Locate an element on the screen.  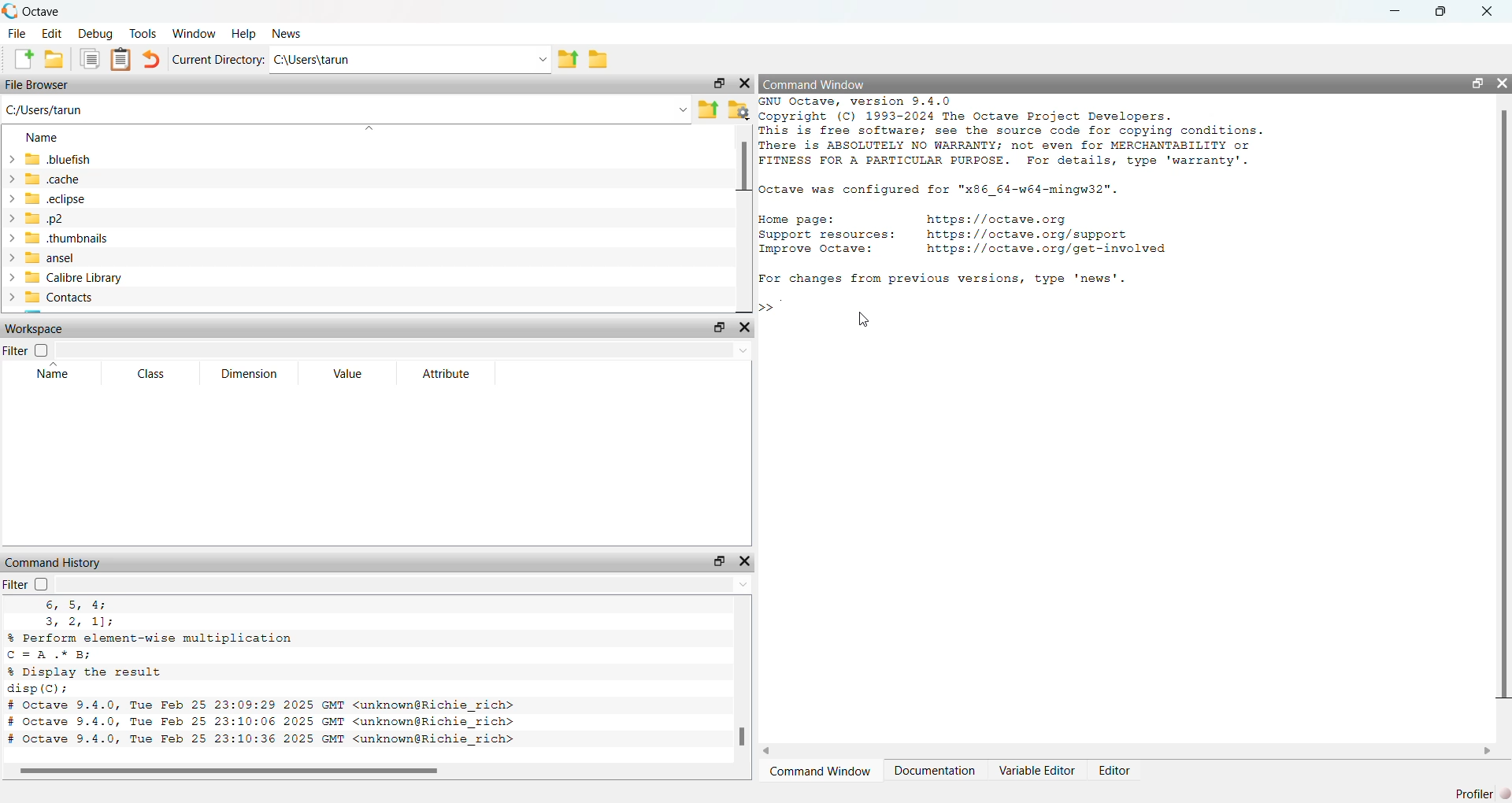
# Octave 9.4.0, Tue Feb 25 23:10:06 2025 GMT <unknown@Richie_rich> is located at coordinates (262, 723).